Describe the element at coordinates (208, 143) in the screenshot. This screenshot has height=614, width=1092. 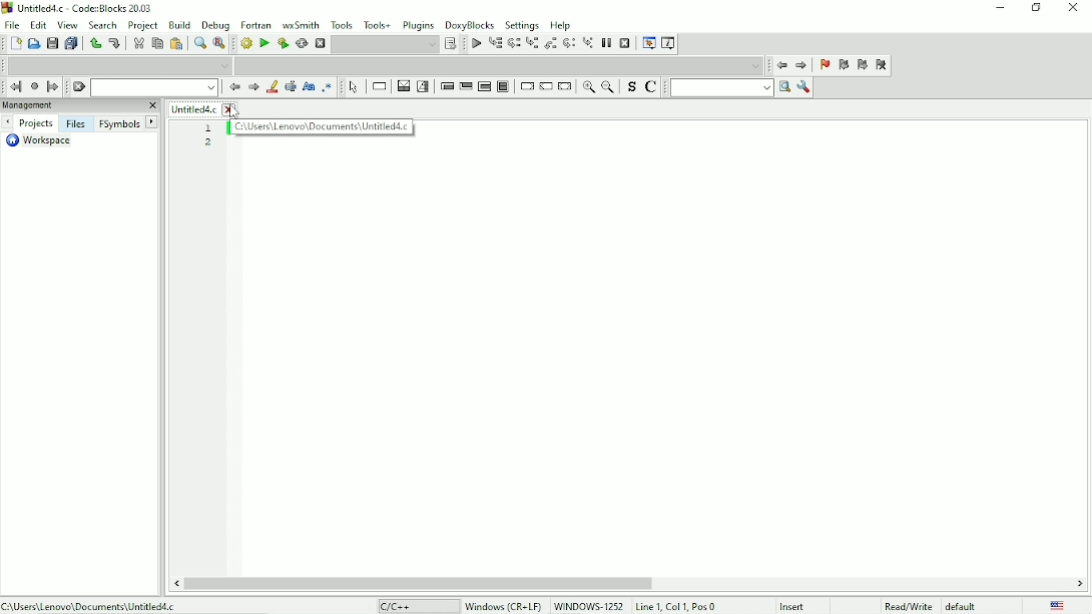
I see `2` at that location.